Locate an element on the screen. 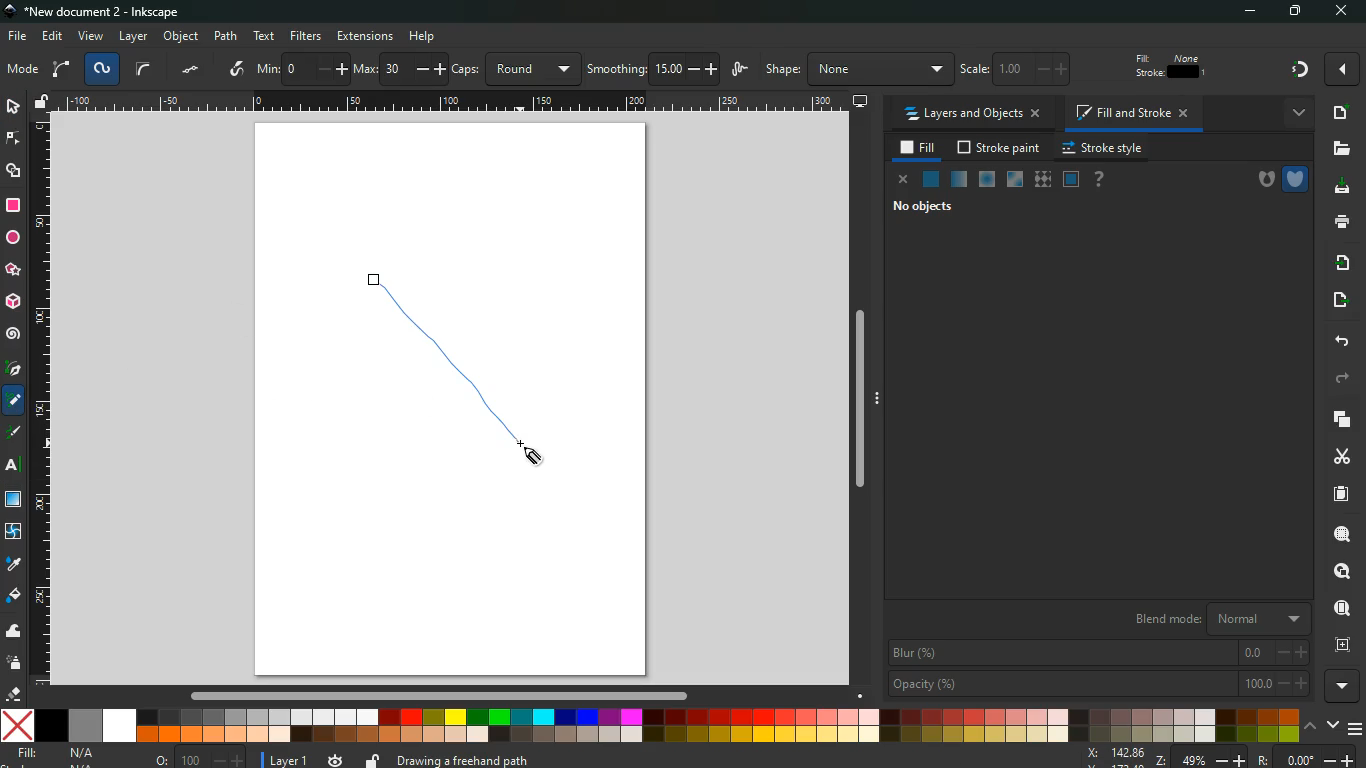 This screenshot has width=1366, height=768. send is located at coordinates (1342, 296).